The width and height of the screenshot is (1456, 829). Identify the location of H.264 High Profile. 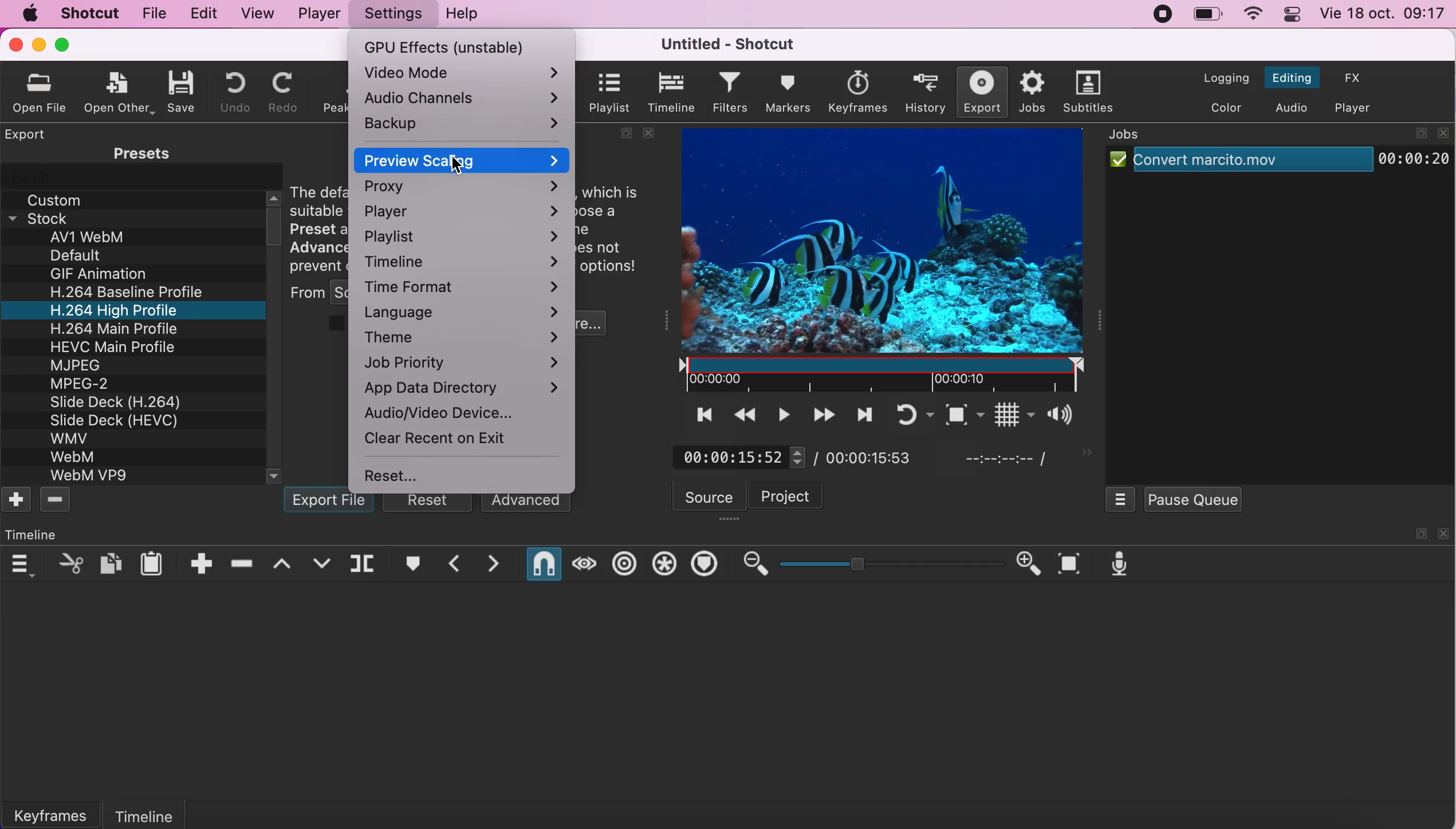
(127, 310).